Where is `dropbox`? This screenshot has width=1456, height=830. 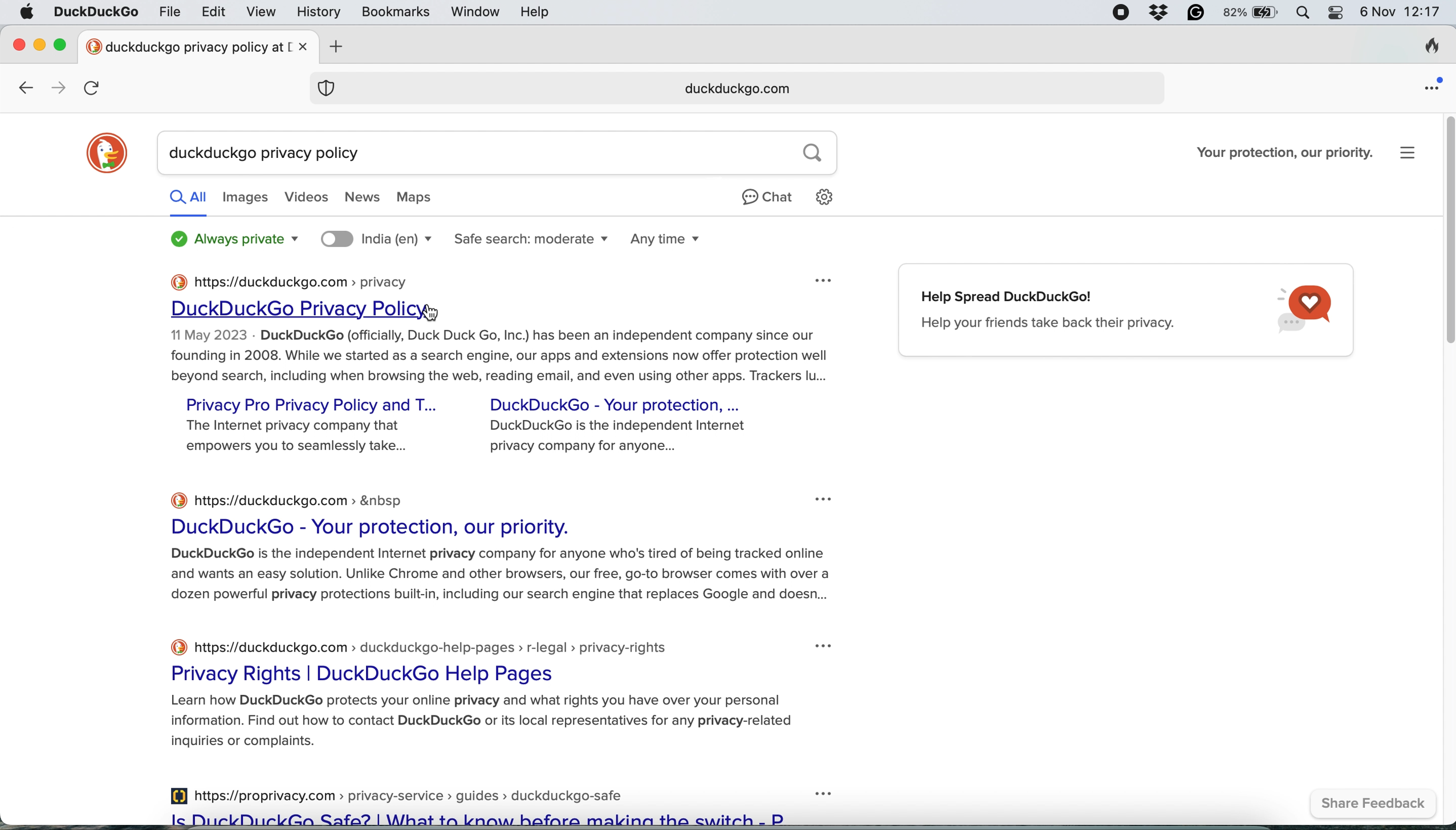 dropbox is located at coordinates (1160, 14).